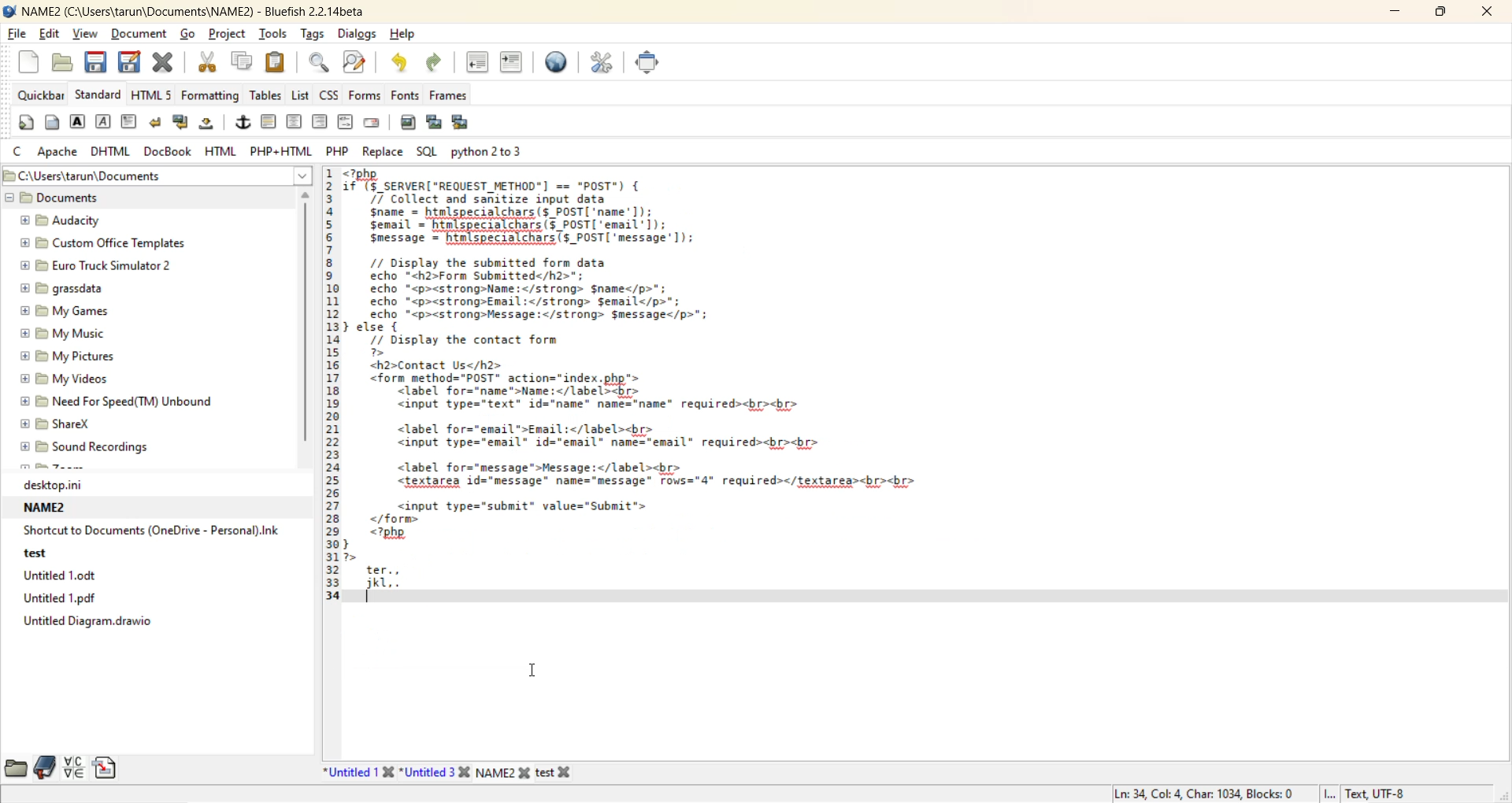 Image resolution: width=1512 pixels, height=803 pixels. What do you see at coordinates (94, 65) in the screenshot?
I see `save` at bounding box center [94, 65].